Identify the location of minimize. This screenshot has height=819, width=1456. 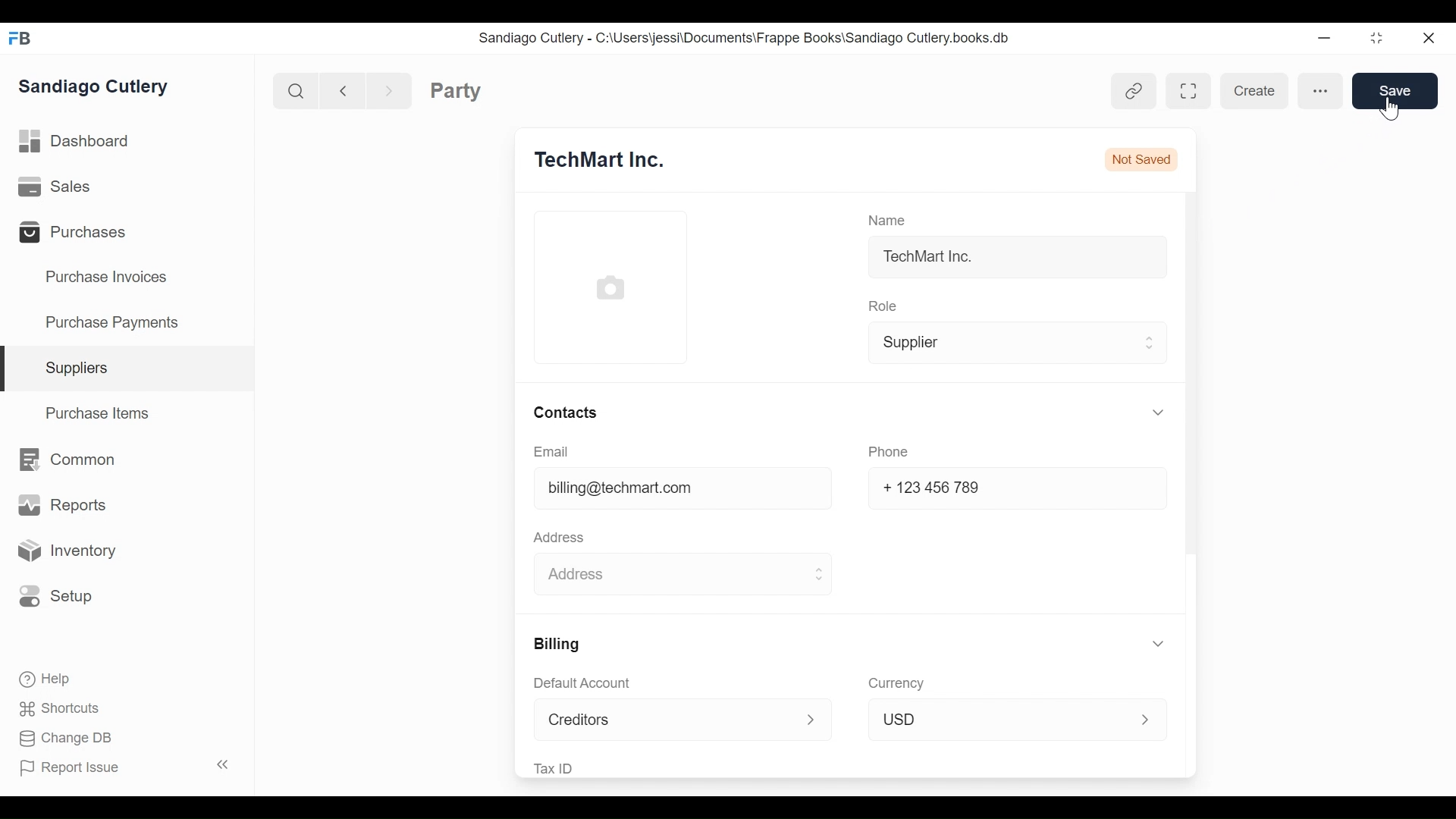
(1326, 39).